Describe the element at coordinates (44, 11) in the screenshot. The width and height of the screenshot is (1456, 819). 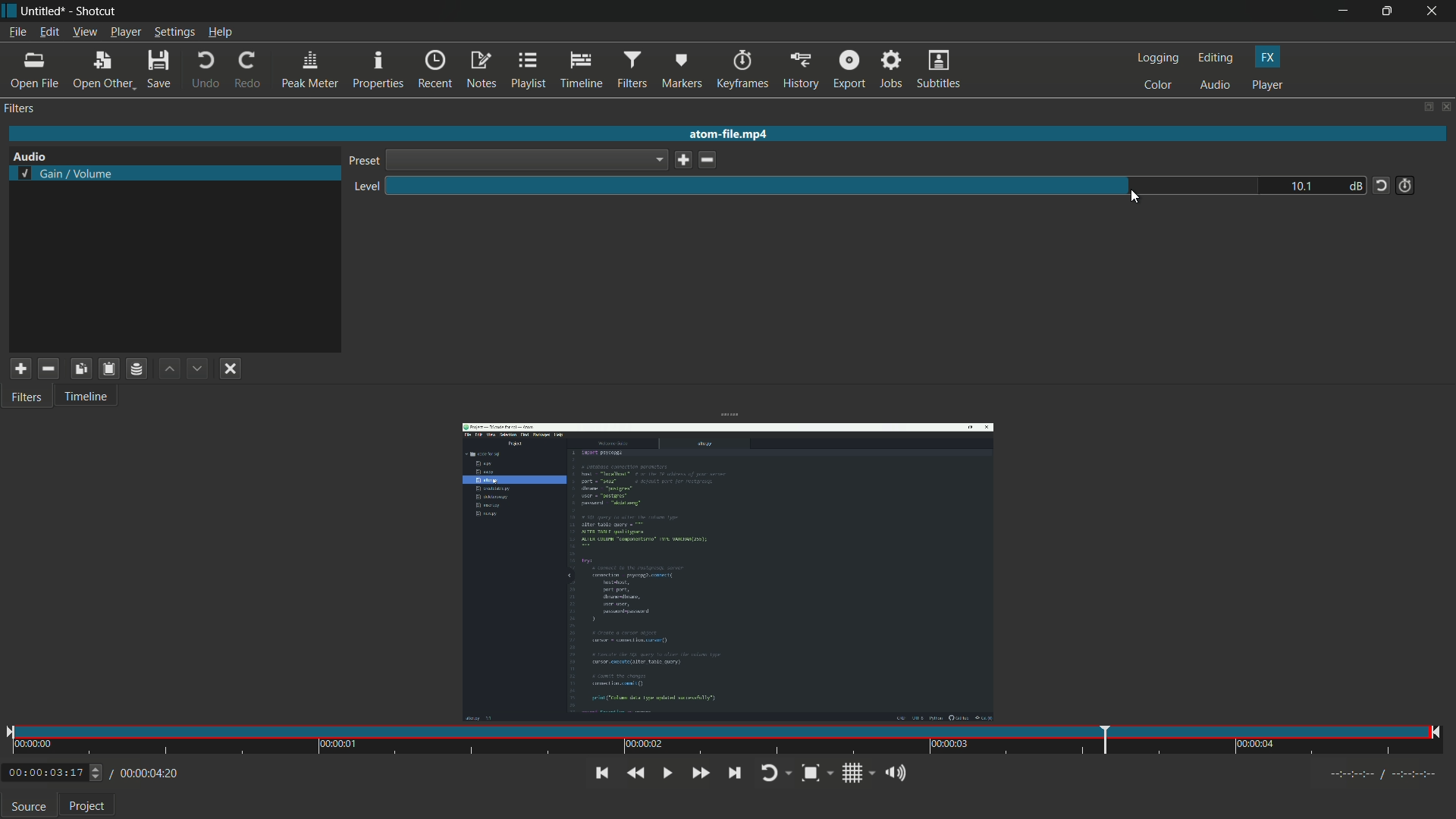
I see `Untitled (file name)` at that location.